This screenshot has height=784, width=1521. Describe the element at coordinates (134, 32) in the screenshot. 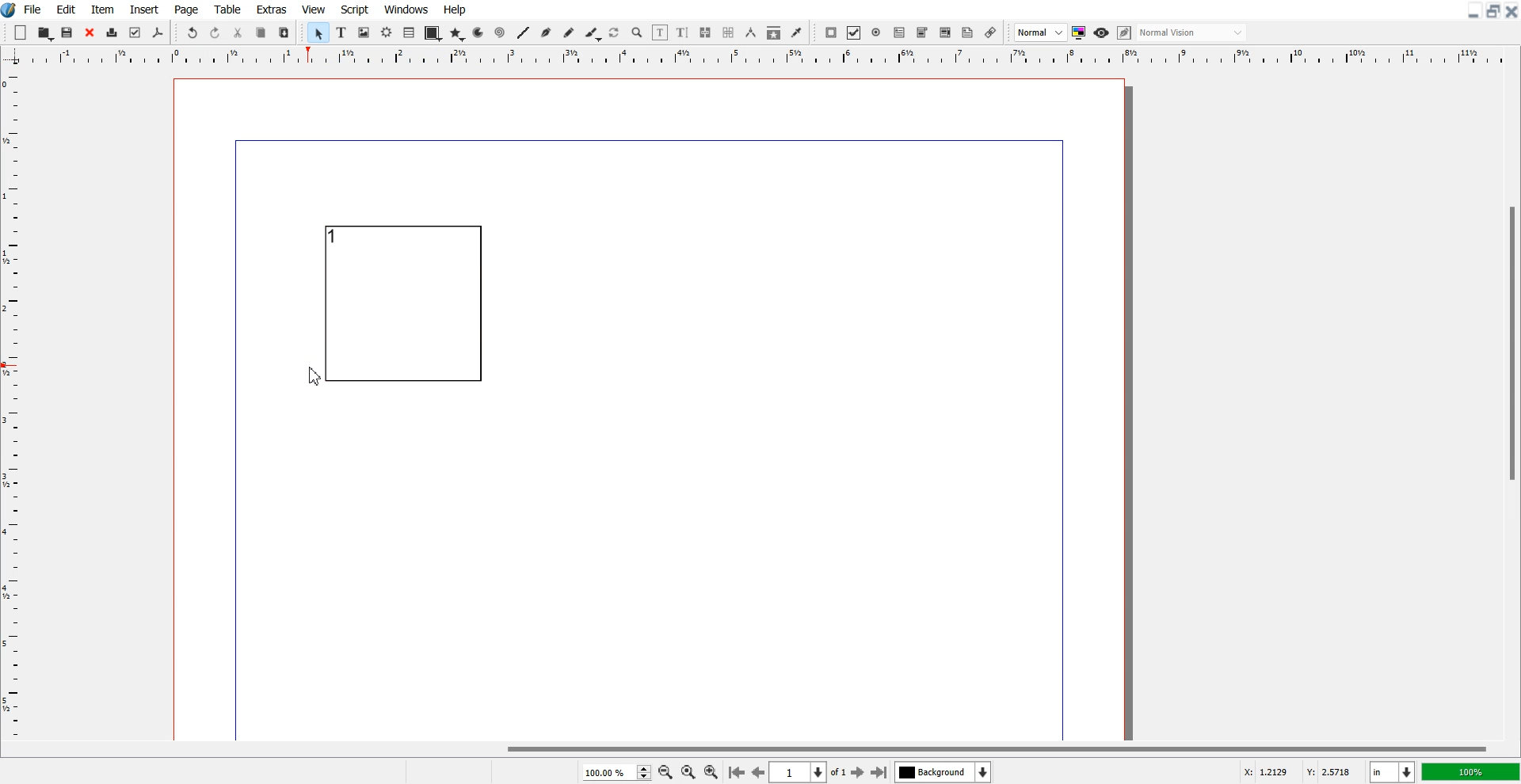

I see `Preflight verifier` at that location.